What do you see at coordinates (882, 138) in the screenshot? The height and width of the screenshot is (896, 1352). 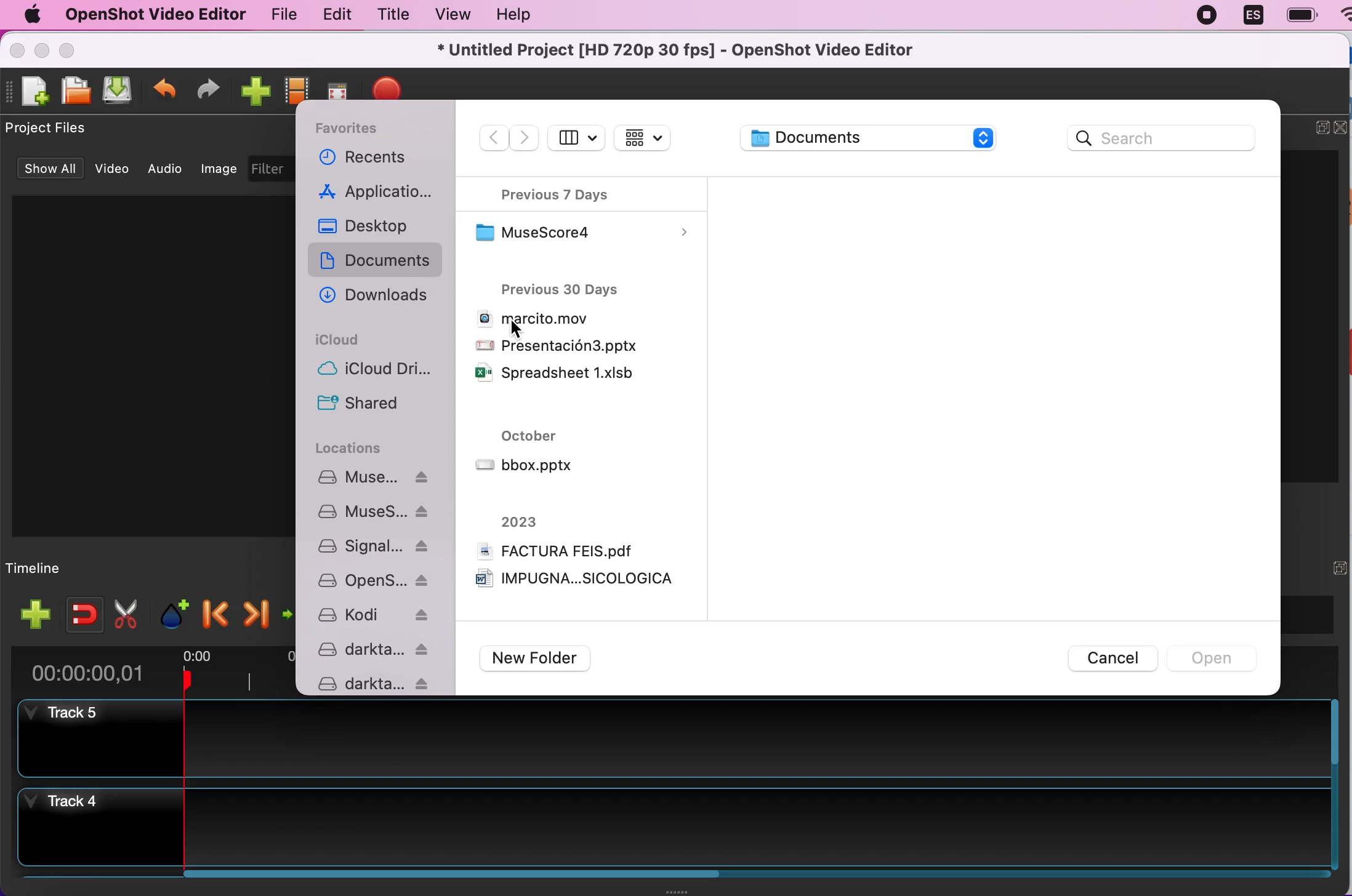 I see `documents` at bounding box center [882, 138].